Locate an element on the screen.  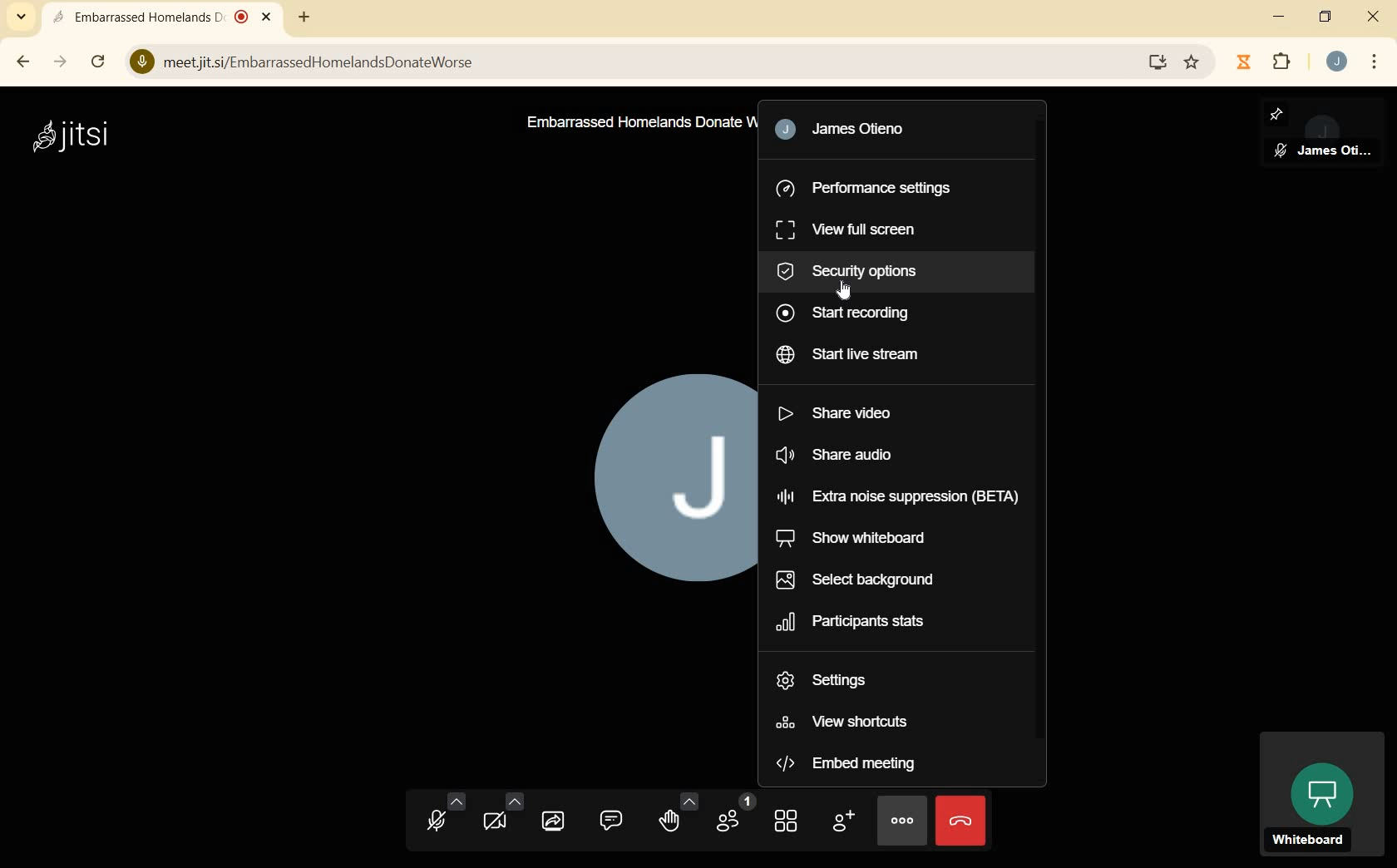
current open tab is located at coordinates (164, 17).